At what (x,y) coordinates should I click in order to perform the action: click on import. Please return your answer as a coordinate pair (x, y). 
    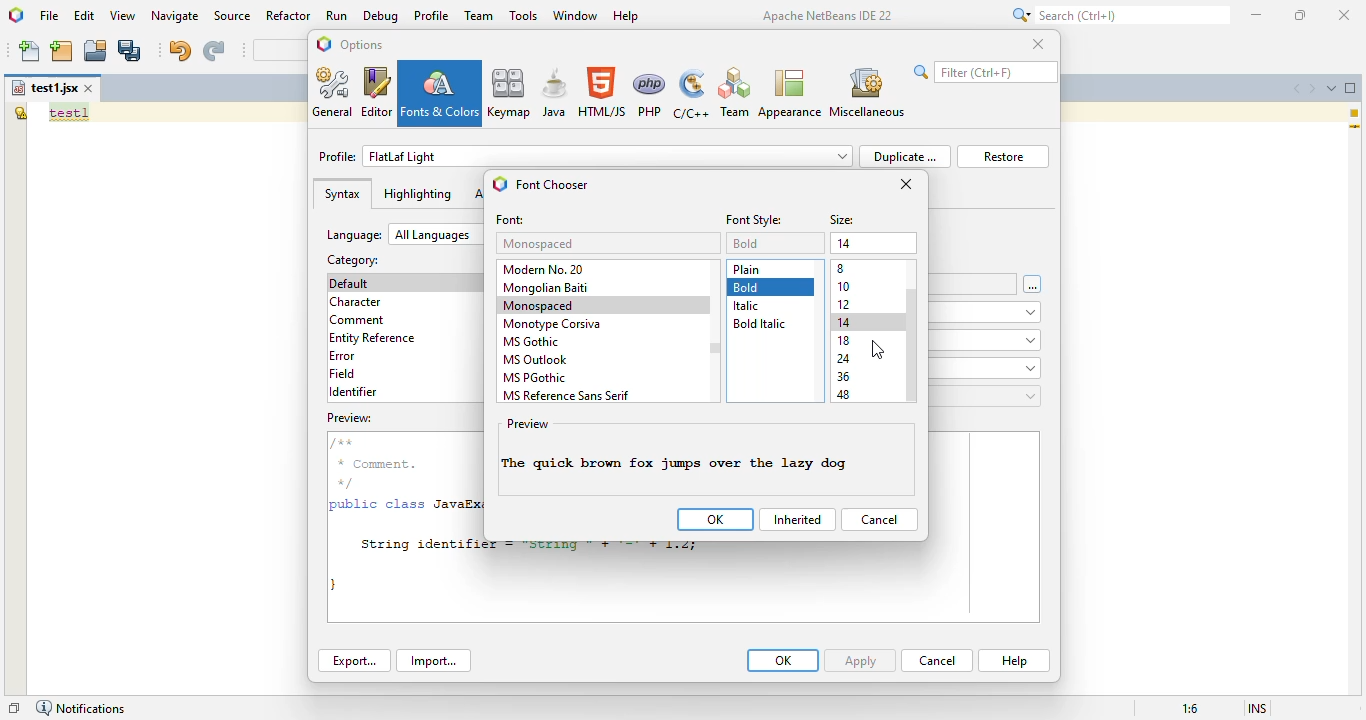
    Looking at the image, I should click on (435, 661).